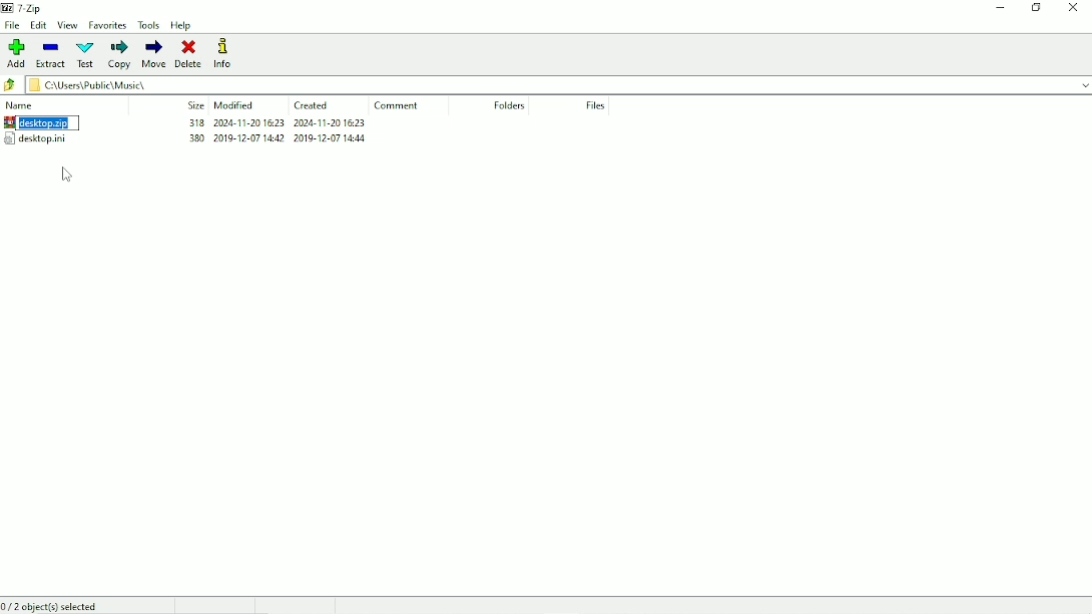 The image size is (1092, 614). I want to click on Edit, so click(40, 26).